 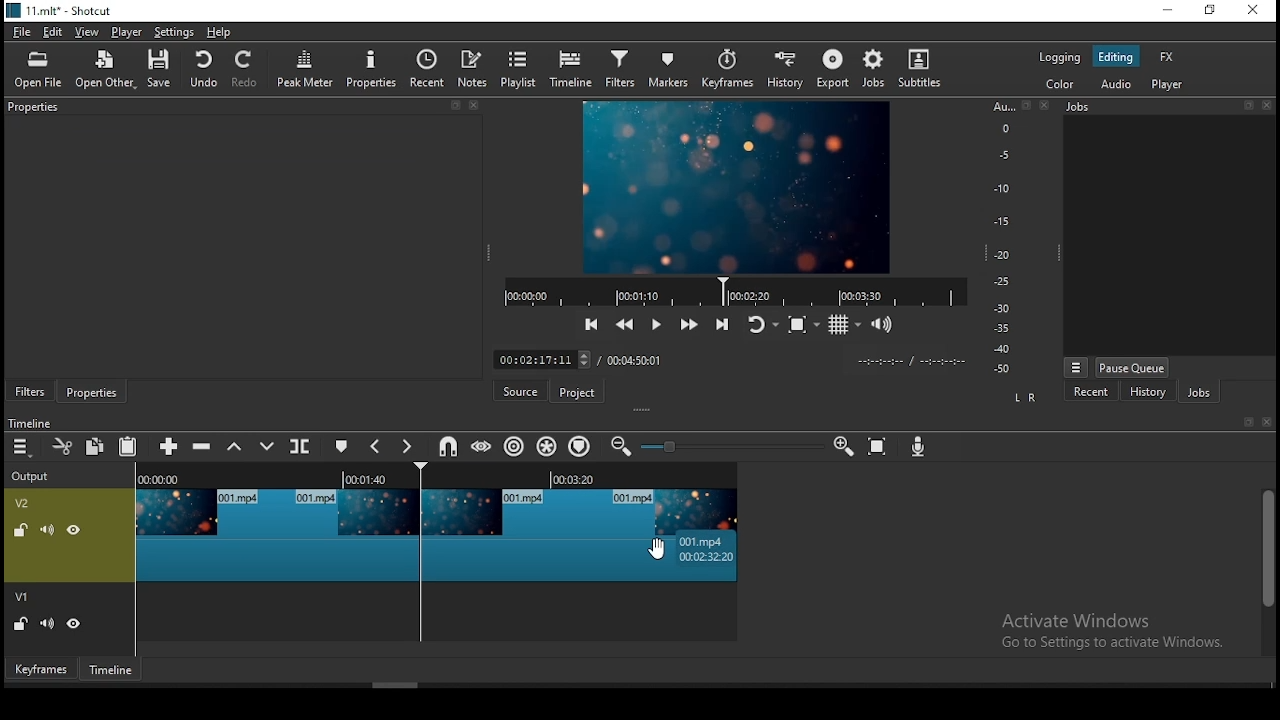 What do you see at coordinates (591, 322) in the screenshot?
I see `skip to previous point` at bounding box center [591, 322].